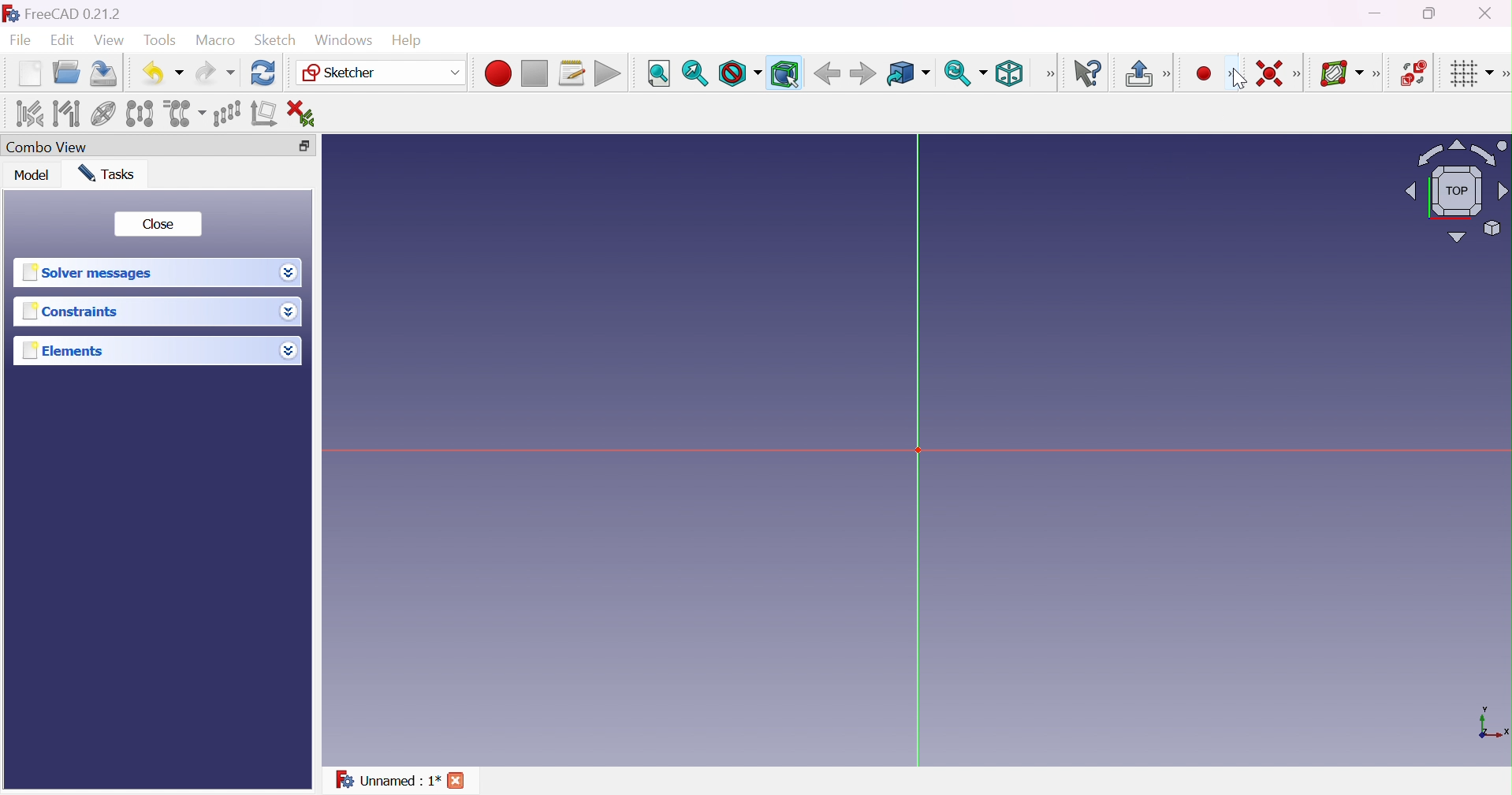 The width and height of the screenshot is (1512, 795). Describe the element at coordinates (160, 225) in the screenshot. I see `Close` at that location.